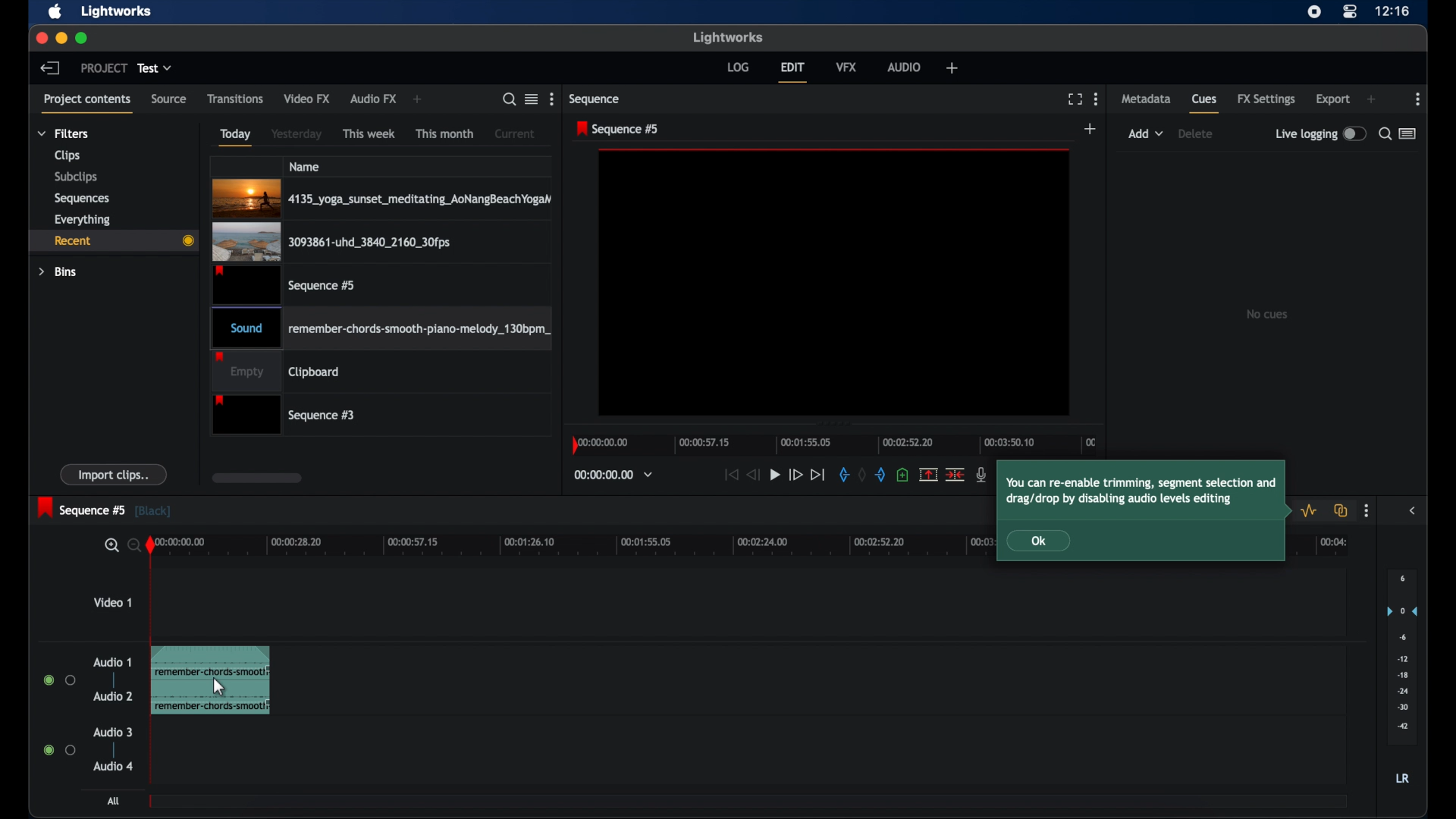 Image resolution: width=1456 pixels, height=819 pixels. I want to click on audio 2, so click(112, 696).